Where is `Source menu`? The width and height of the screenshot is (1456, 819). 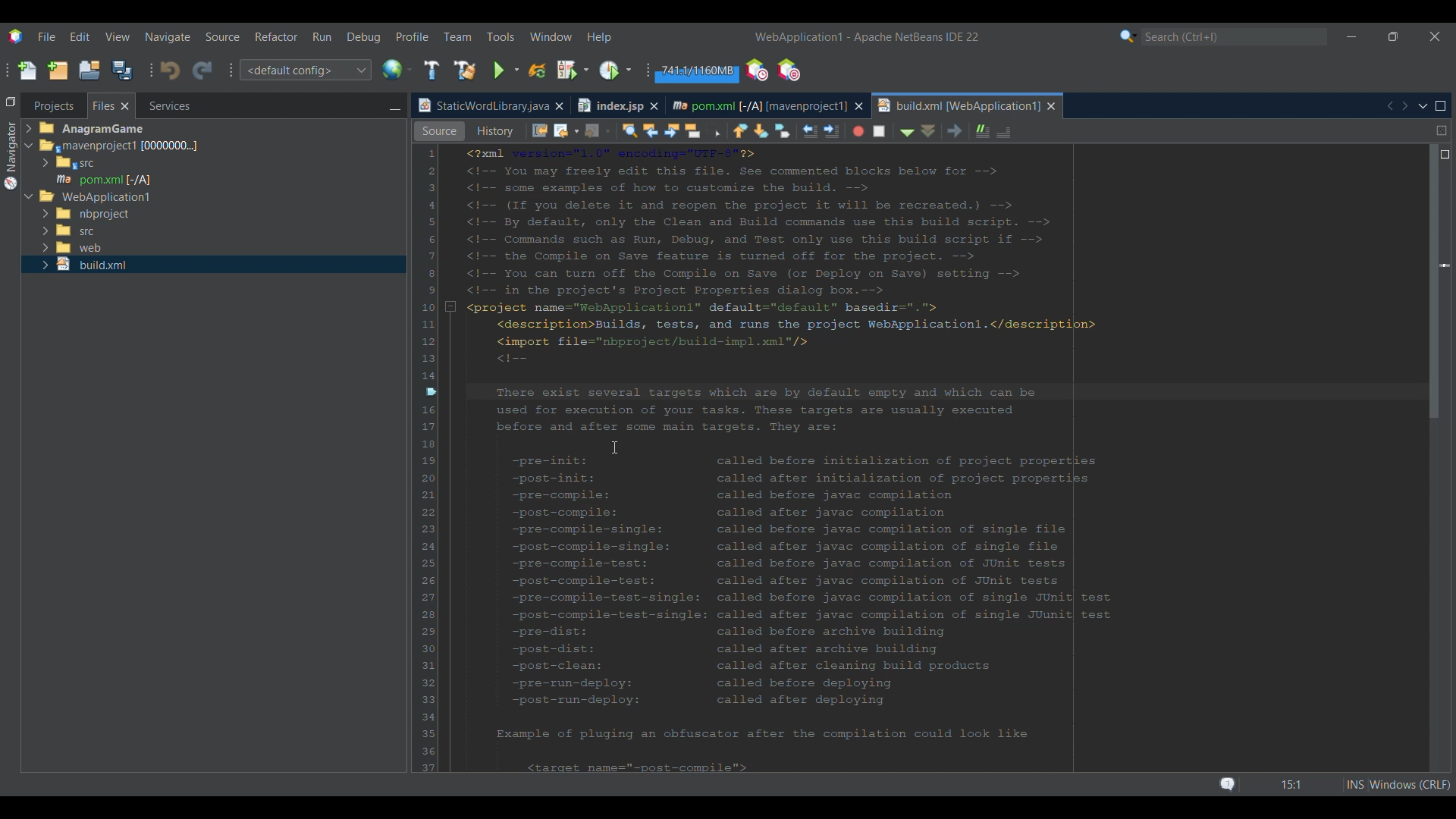
Source menu is located at coordinates (223, 37).